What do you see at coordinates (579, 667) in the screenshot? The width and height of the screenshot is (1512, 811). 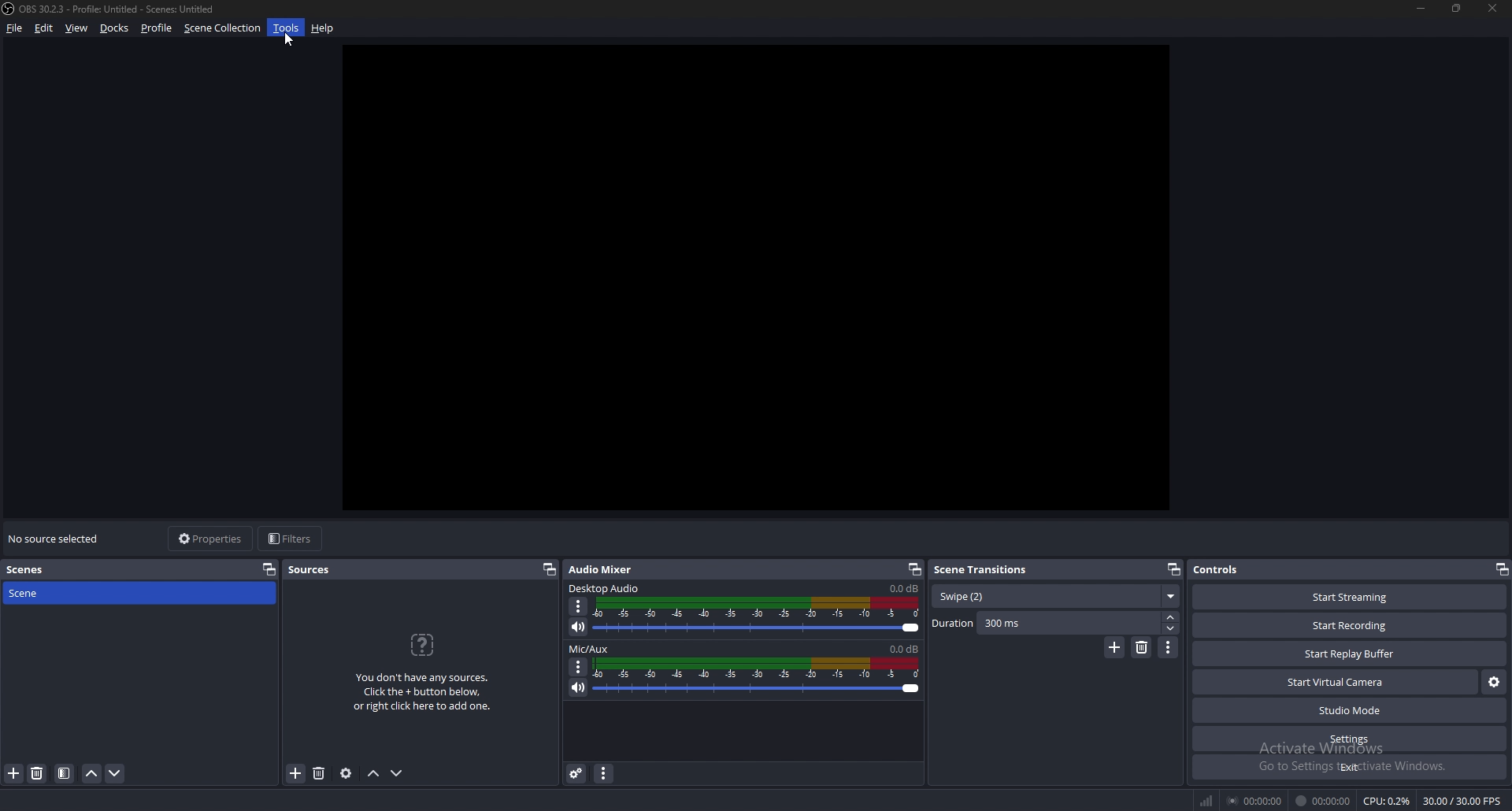 I see `options` at bounding box center [579, 667].